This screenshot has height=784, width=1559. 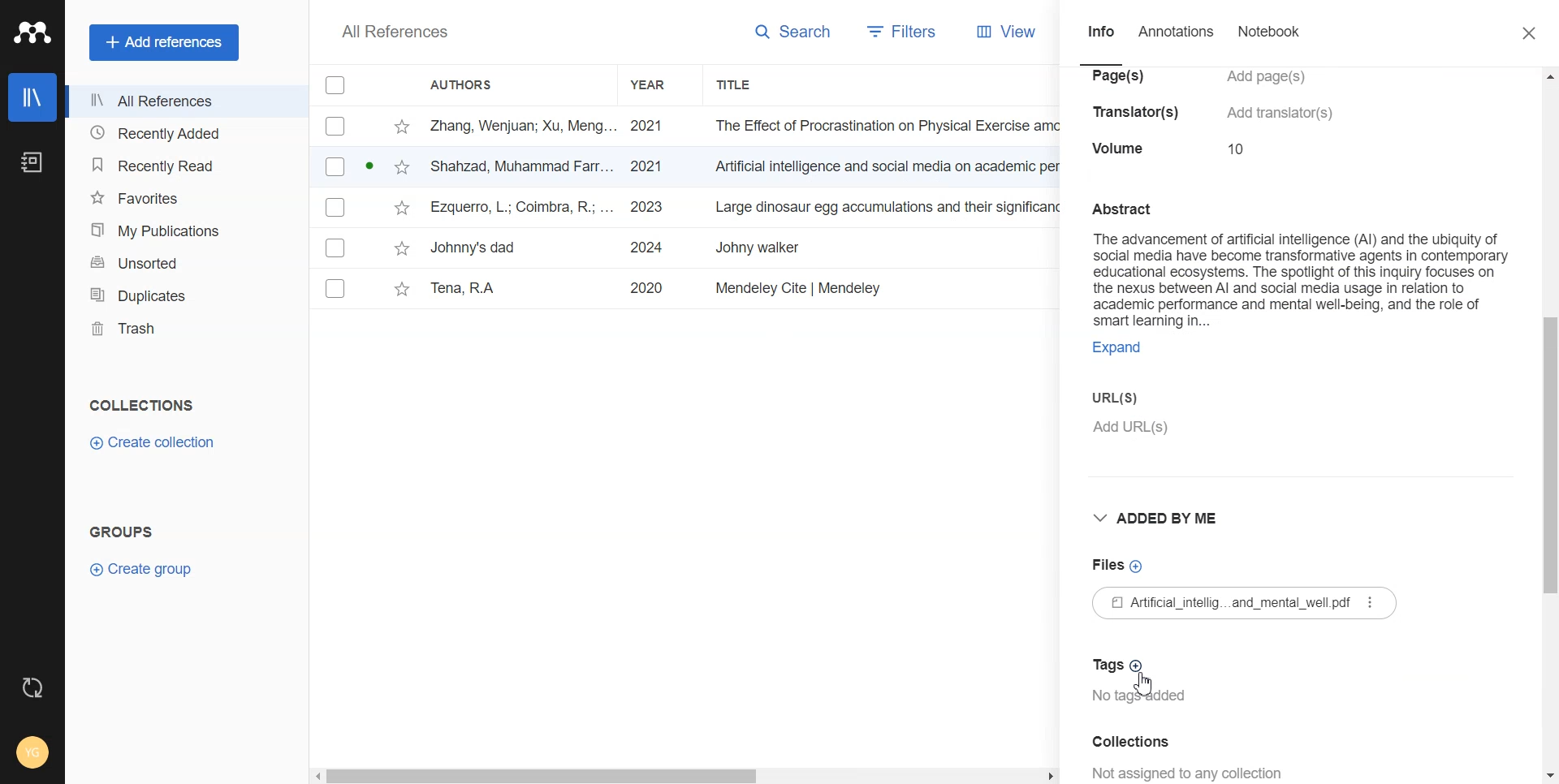 What do you see at coordinates (184, 294) in the screenshot?
I see `Duplicates` at bounding box center [184, 294].